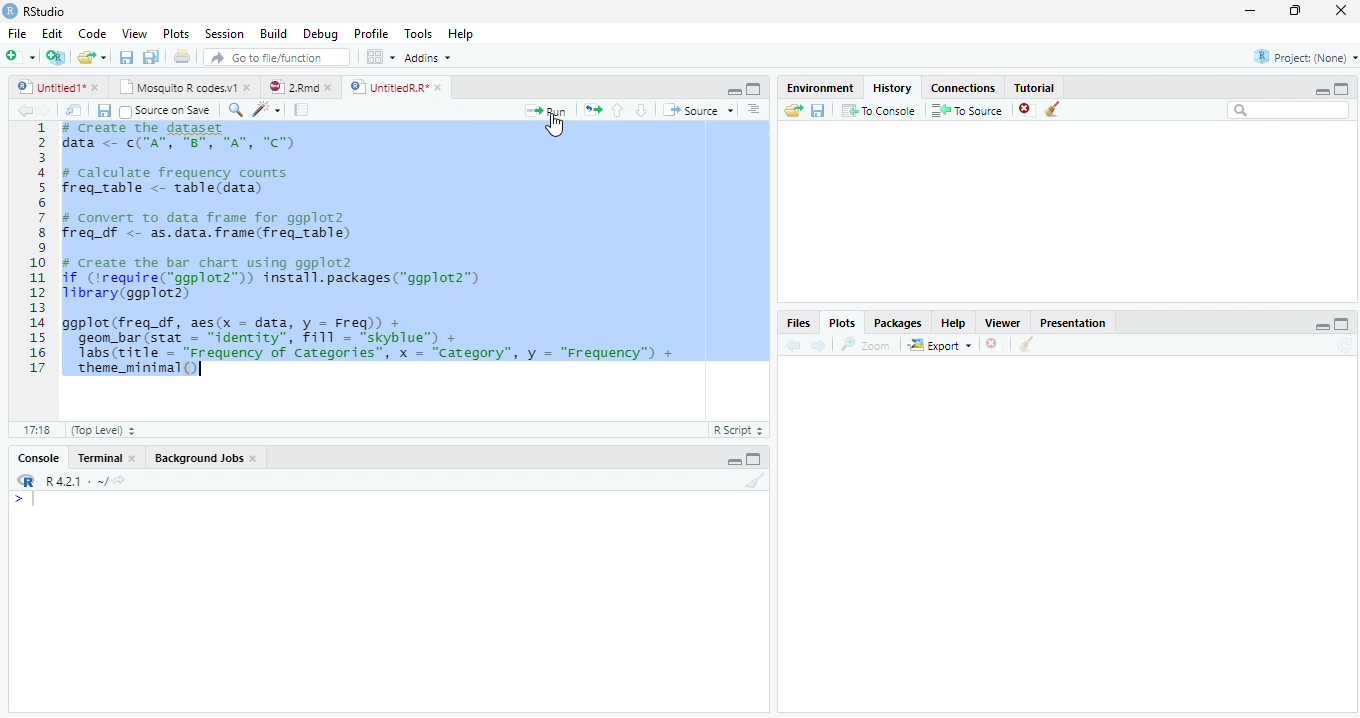  Describe the element at coordinates (20, 56) in the screenshot. I see `New file` at that location.